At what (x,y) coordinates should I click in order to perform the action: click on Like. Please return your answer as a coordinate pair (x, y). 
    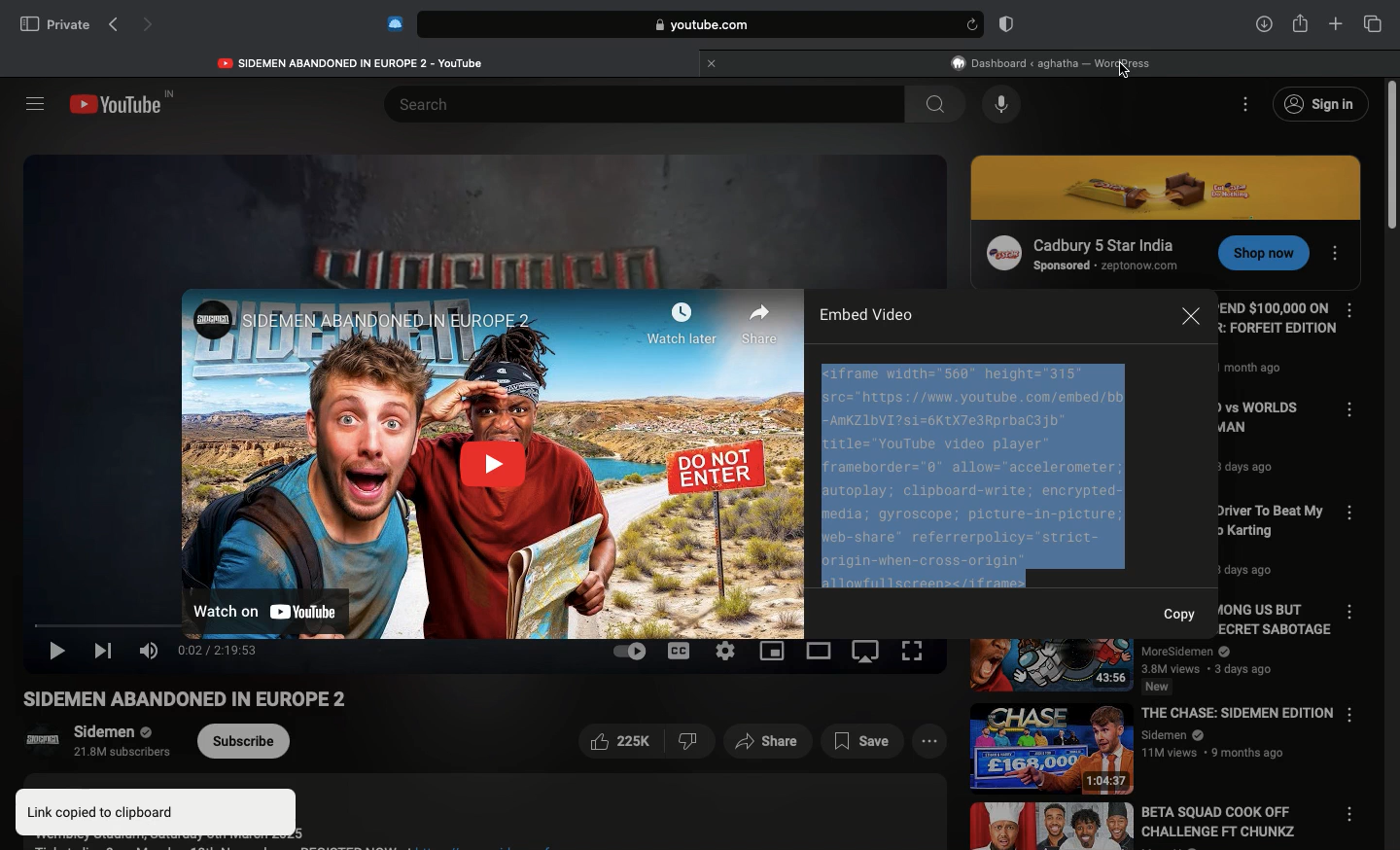
    Looking at the image, I should click on (645, 743).